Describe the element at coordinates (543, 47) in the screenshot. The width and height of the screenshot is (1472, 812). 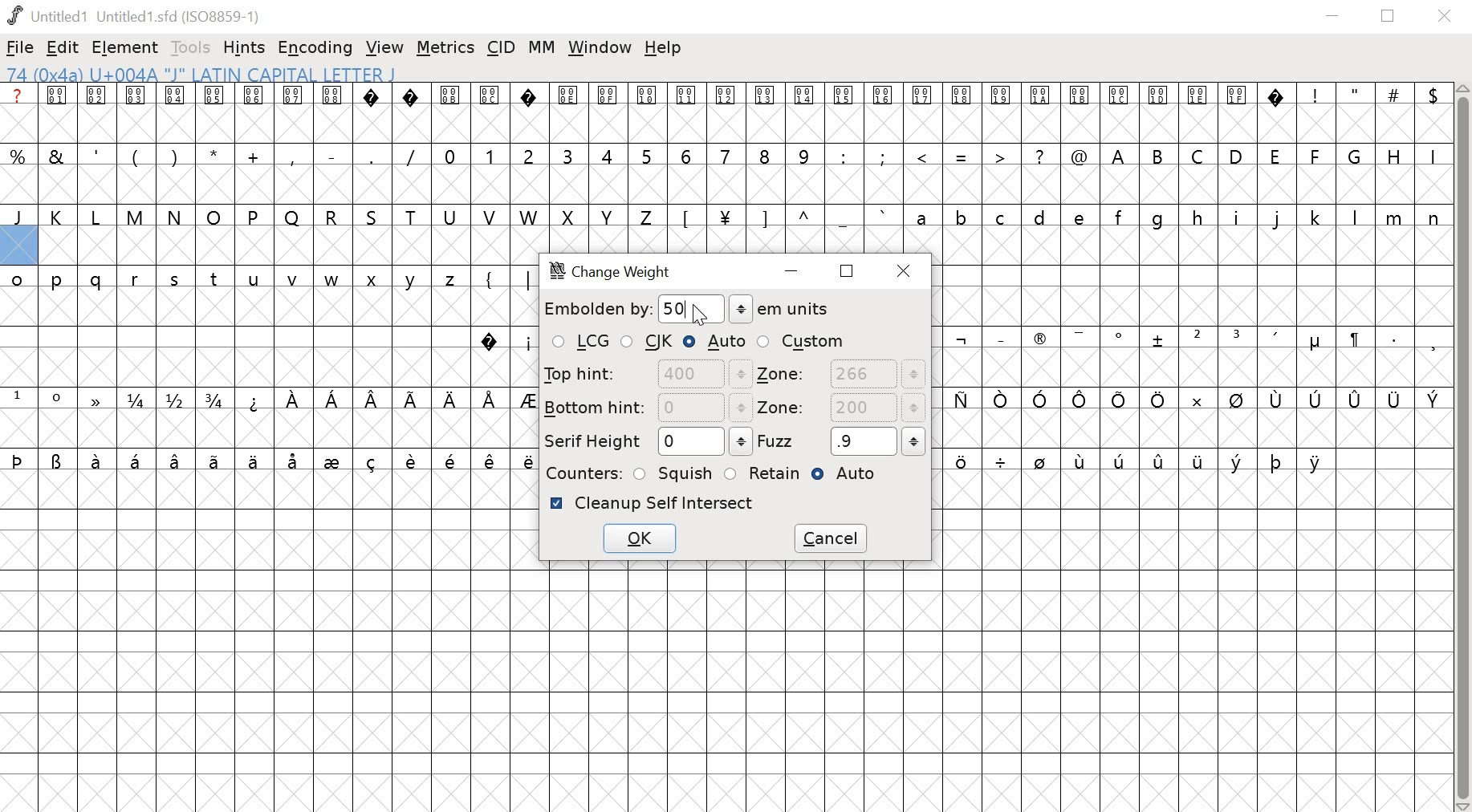
I see `MM` at that location.